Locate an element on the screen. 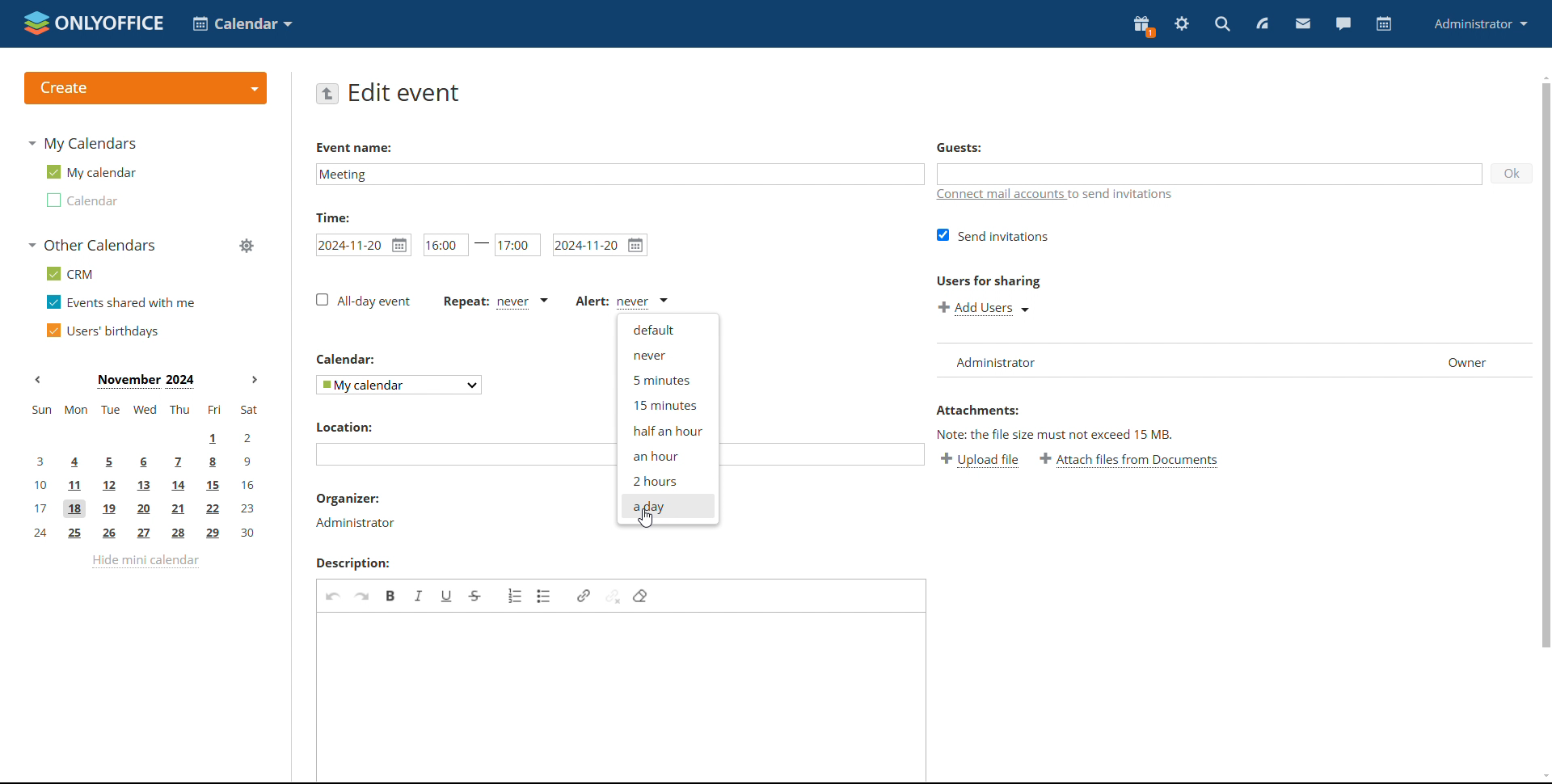  strikethrough is located at coordinates (474, 596).